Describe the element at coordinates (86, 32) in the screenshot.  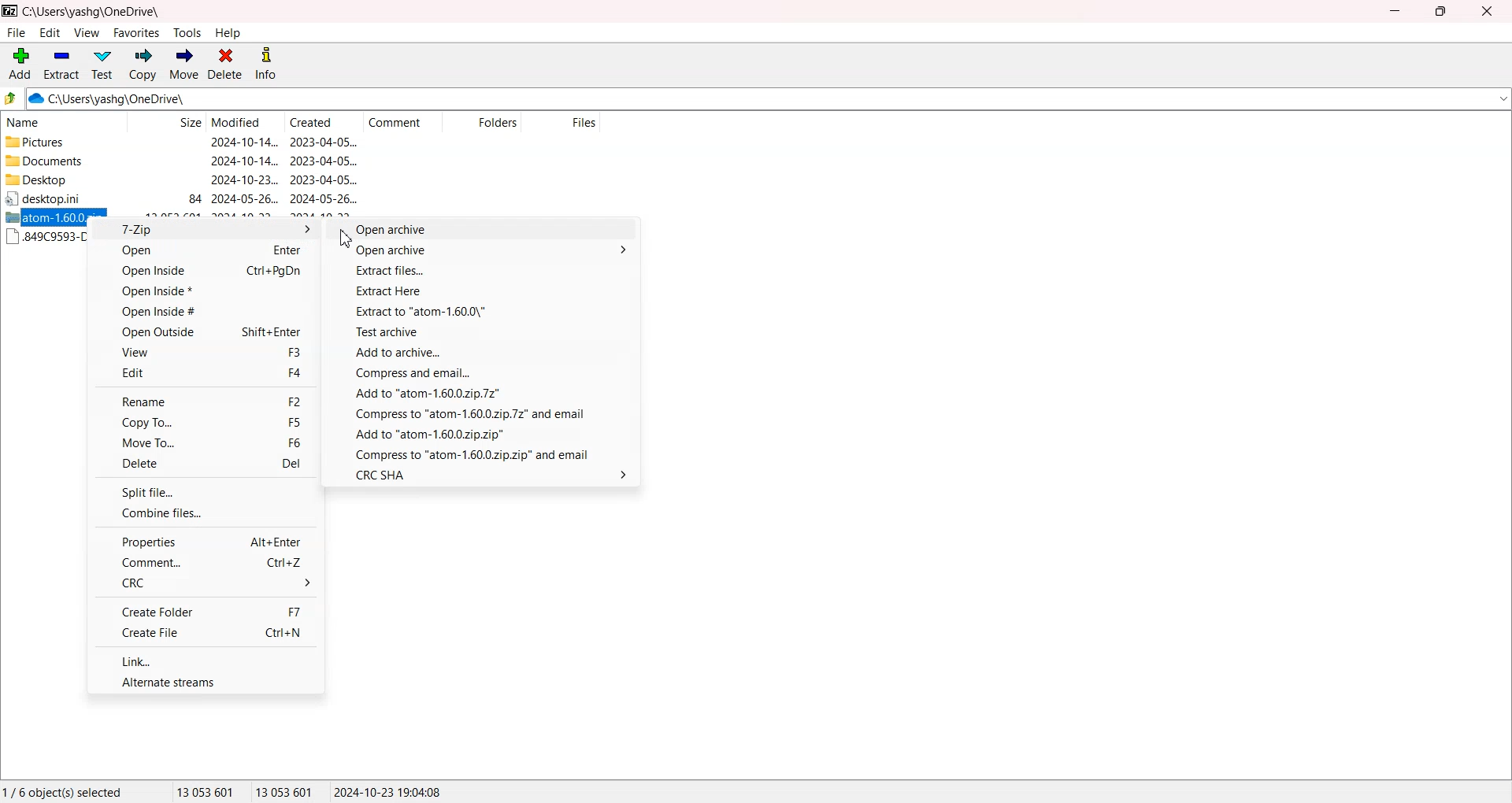
I see `View` at that location.